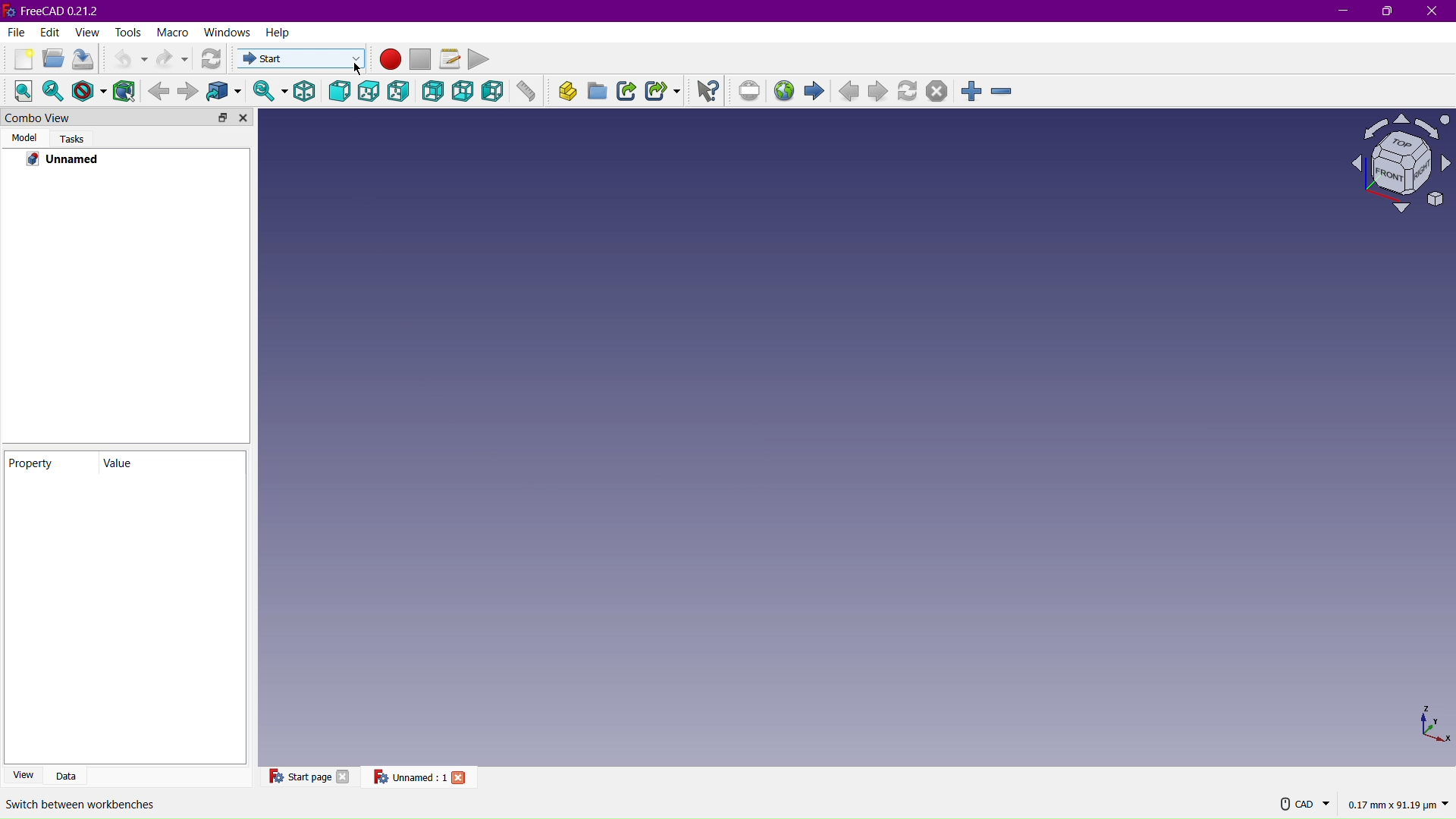 The image size is (1456, 819). What do you see at coordinates (125, 90) in the screenshot?
I see `Bounding Box` at bounding box center [125, 90].